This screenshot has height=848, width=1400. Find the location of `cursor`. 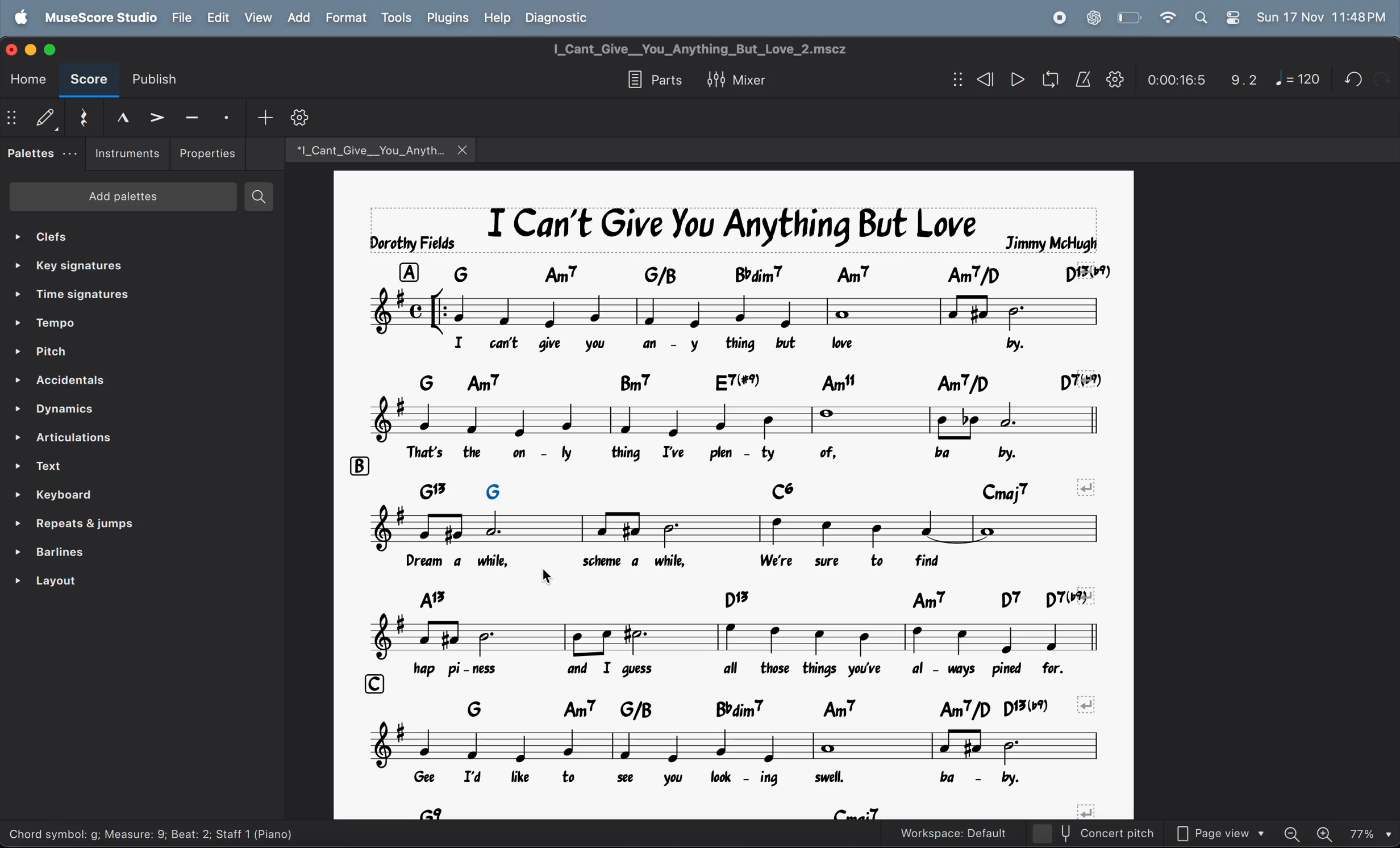

cursor is located at coordinates (547, 577).